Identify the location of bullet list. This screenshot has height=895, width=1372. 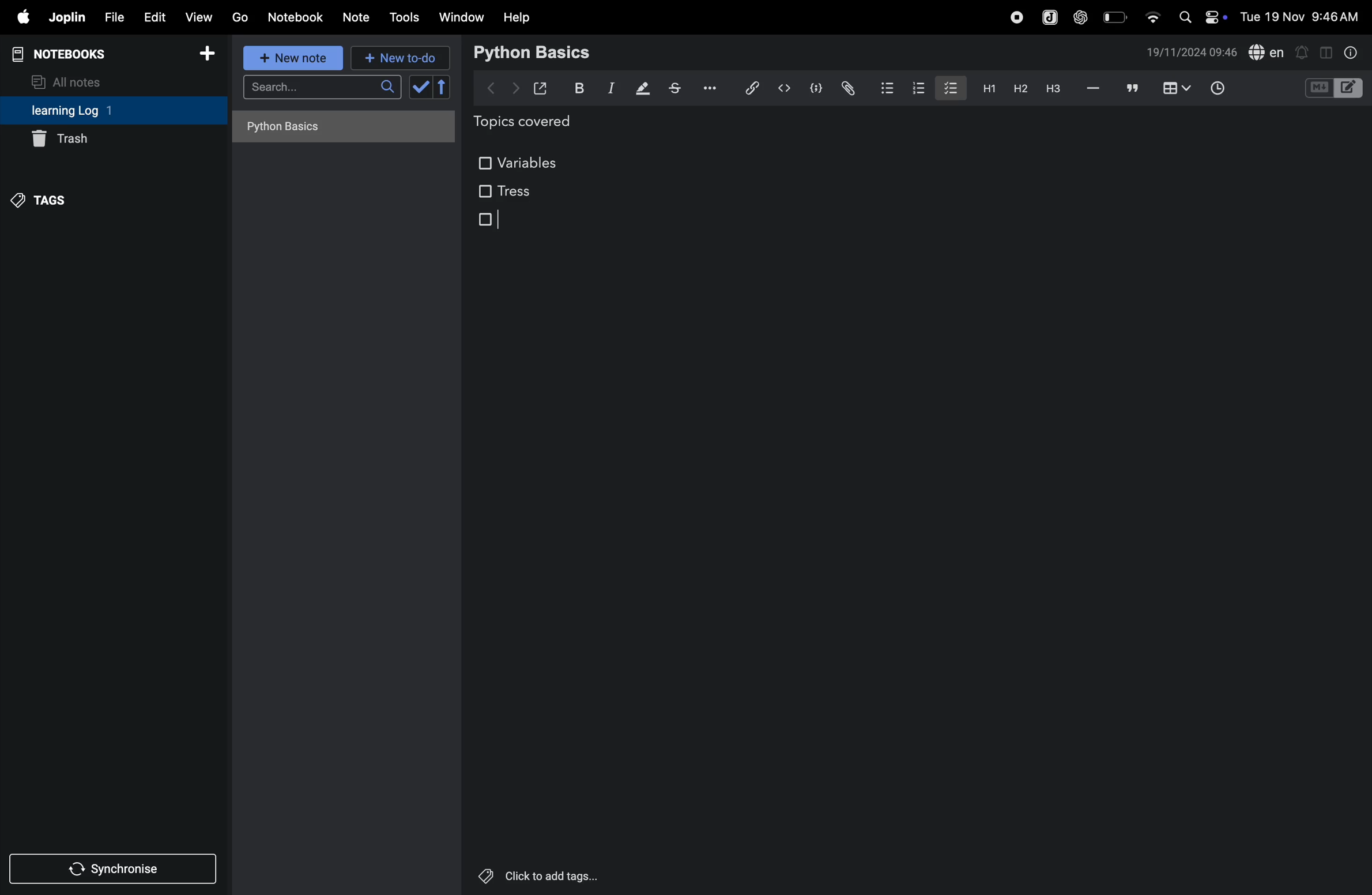
(886, 86).